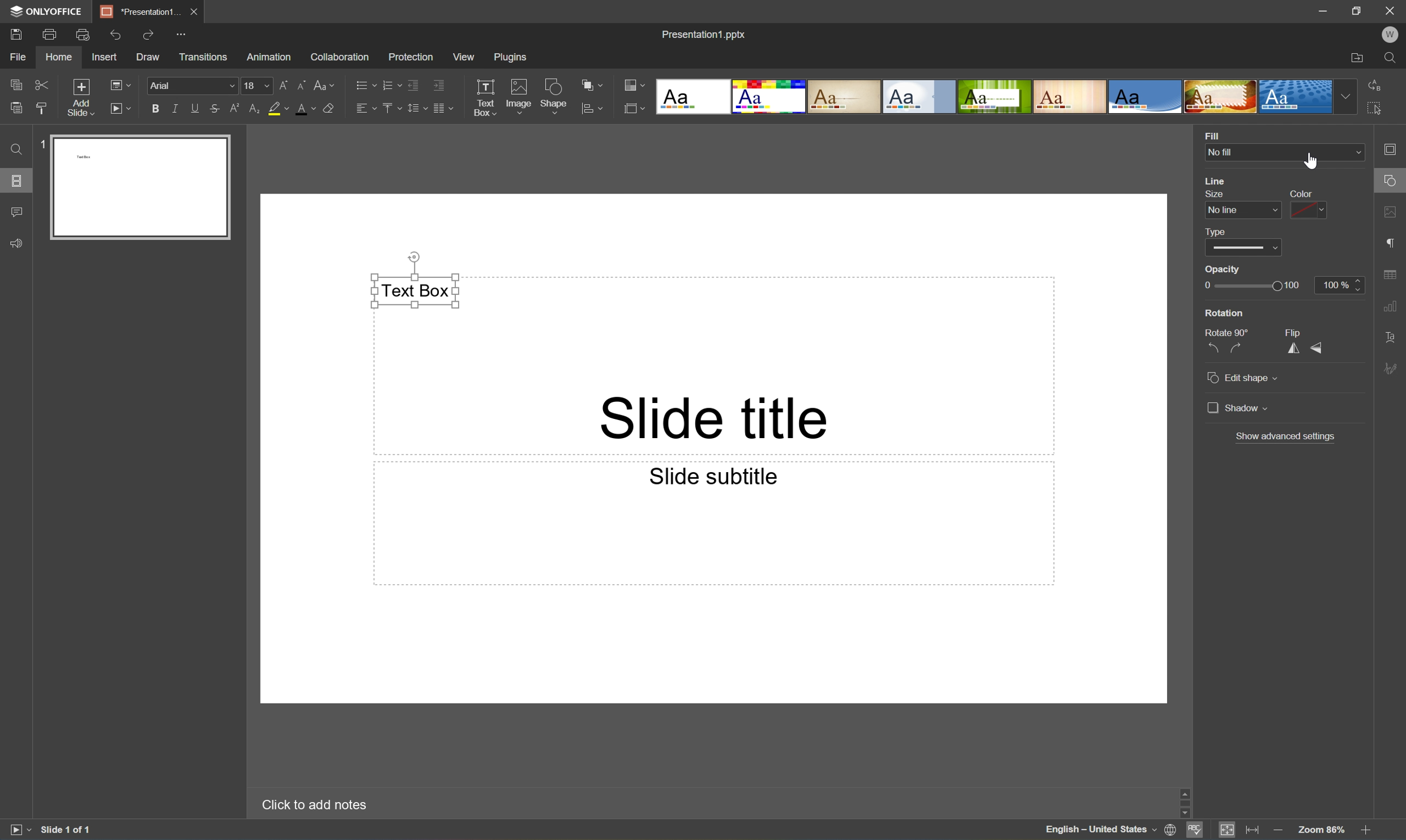 This screenshot has width=1406, height=840. Describe the element at coordinates (1243, 212) in the screenshot. I see `No line` at that location.